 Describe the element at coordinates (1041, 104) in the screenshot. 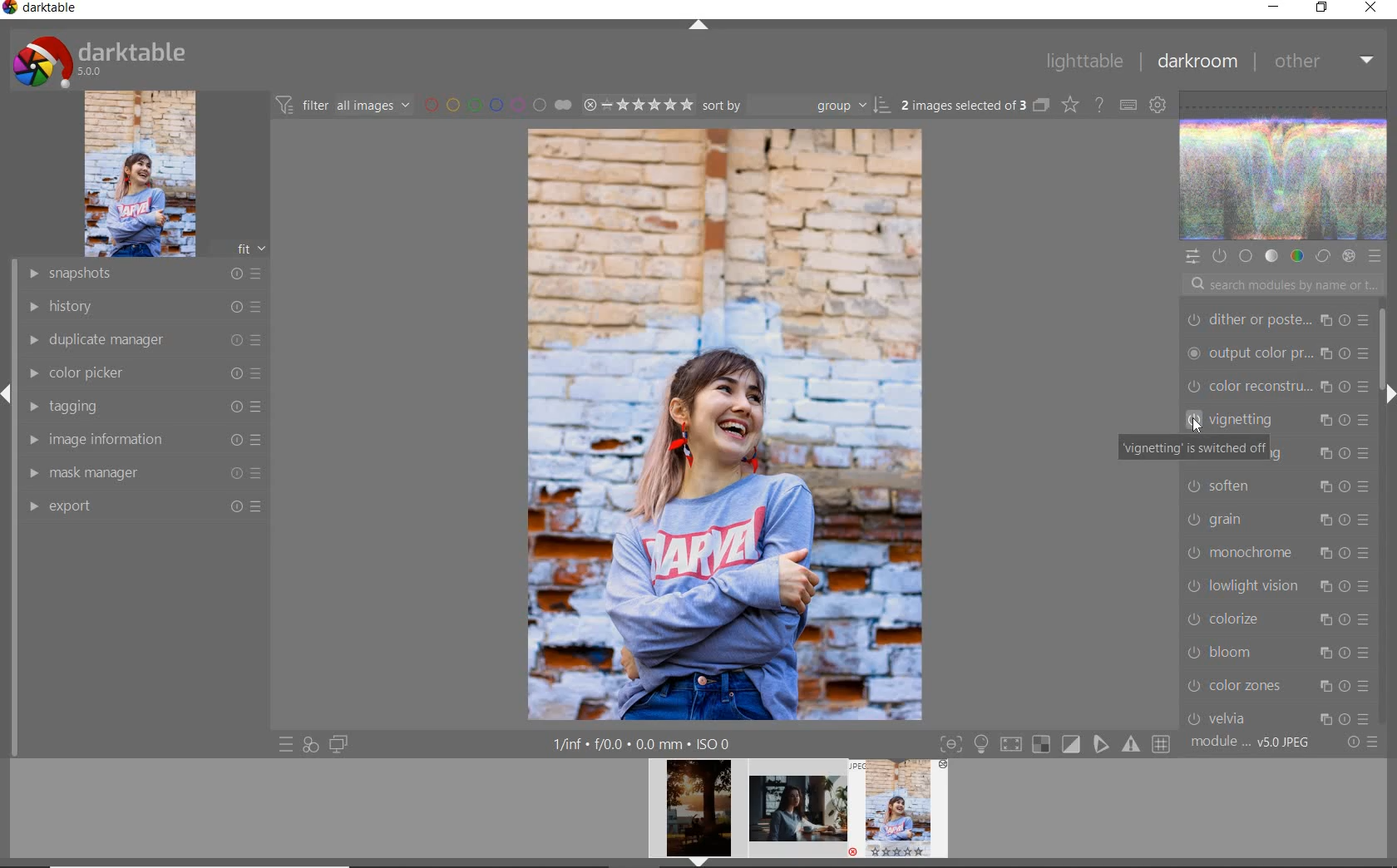

I see `COLLAPSE GROUPED  IMAGES` at that location.